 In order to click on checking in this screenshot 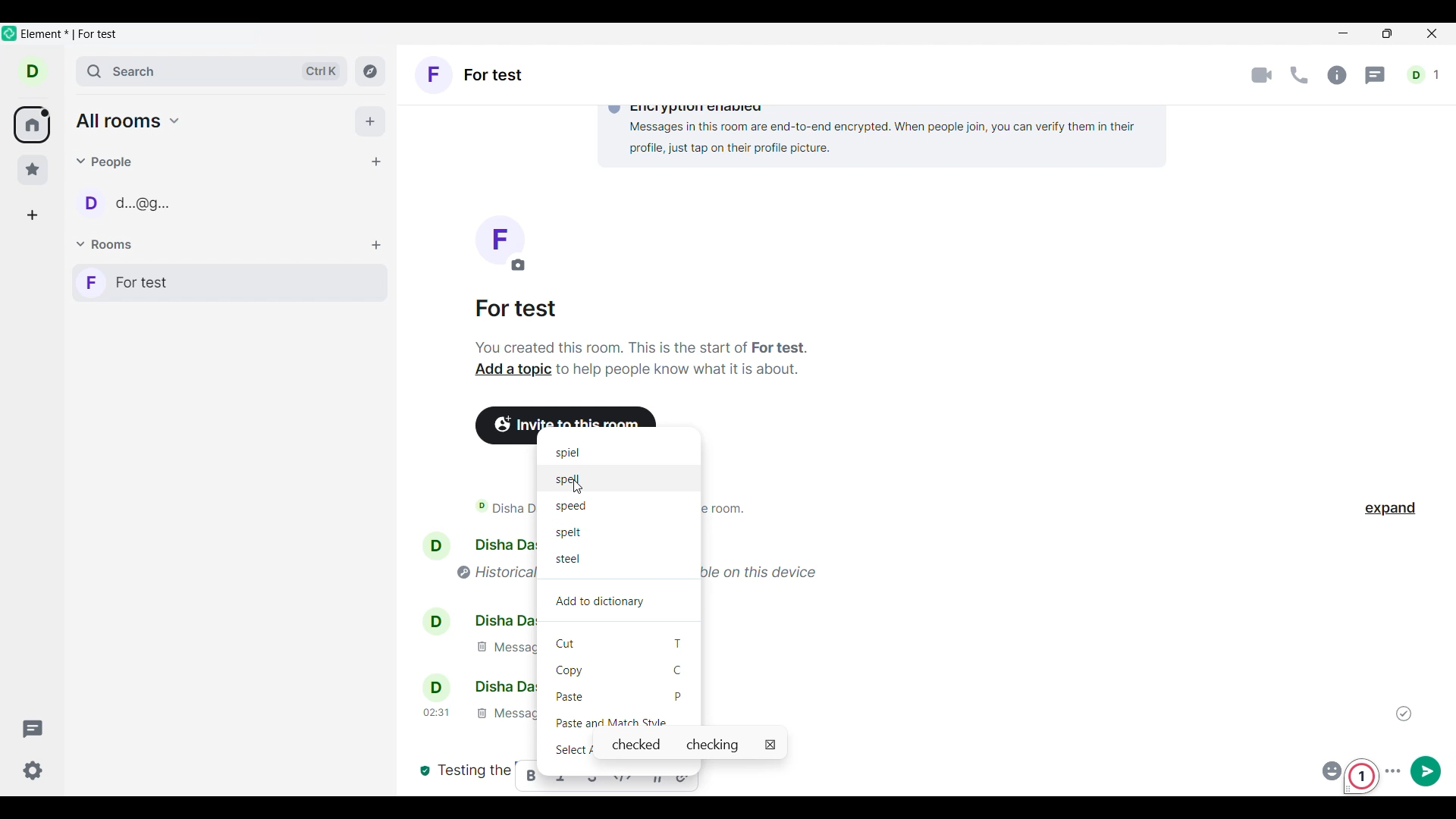, I will do `click(716, 745)`.